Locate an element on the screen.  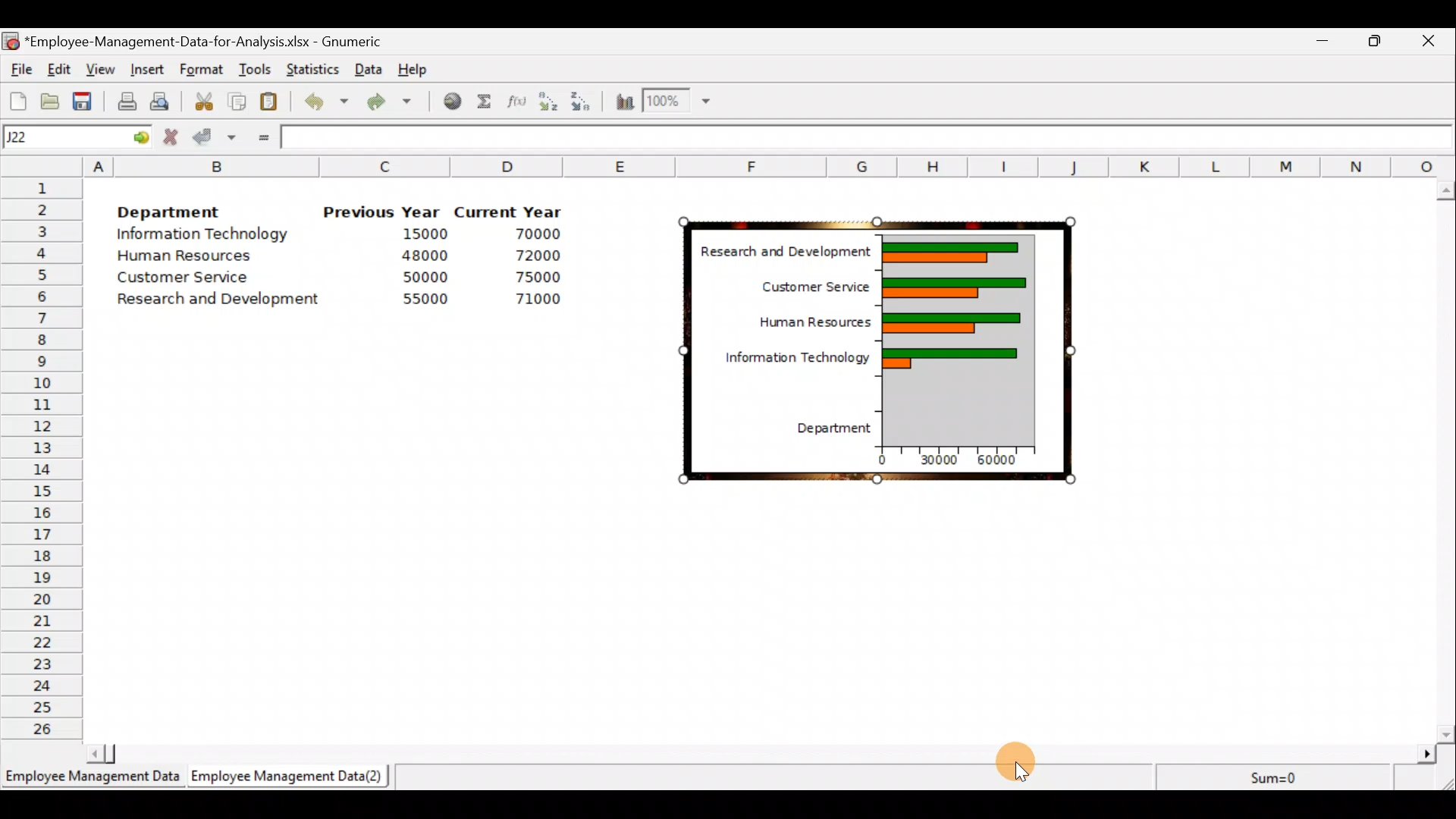
Sort in Ascending order is located at coordinates (548, 101).